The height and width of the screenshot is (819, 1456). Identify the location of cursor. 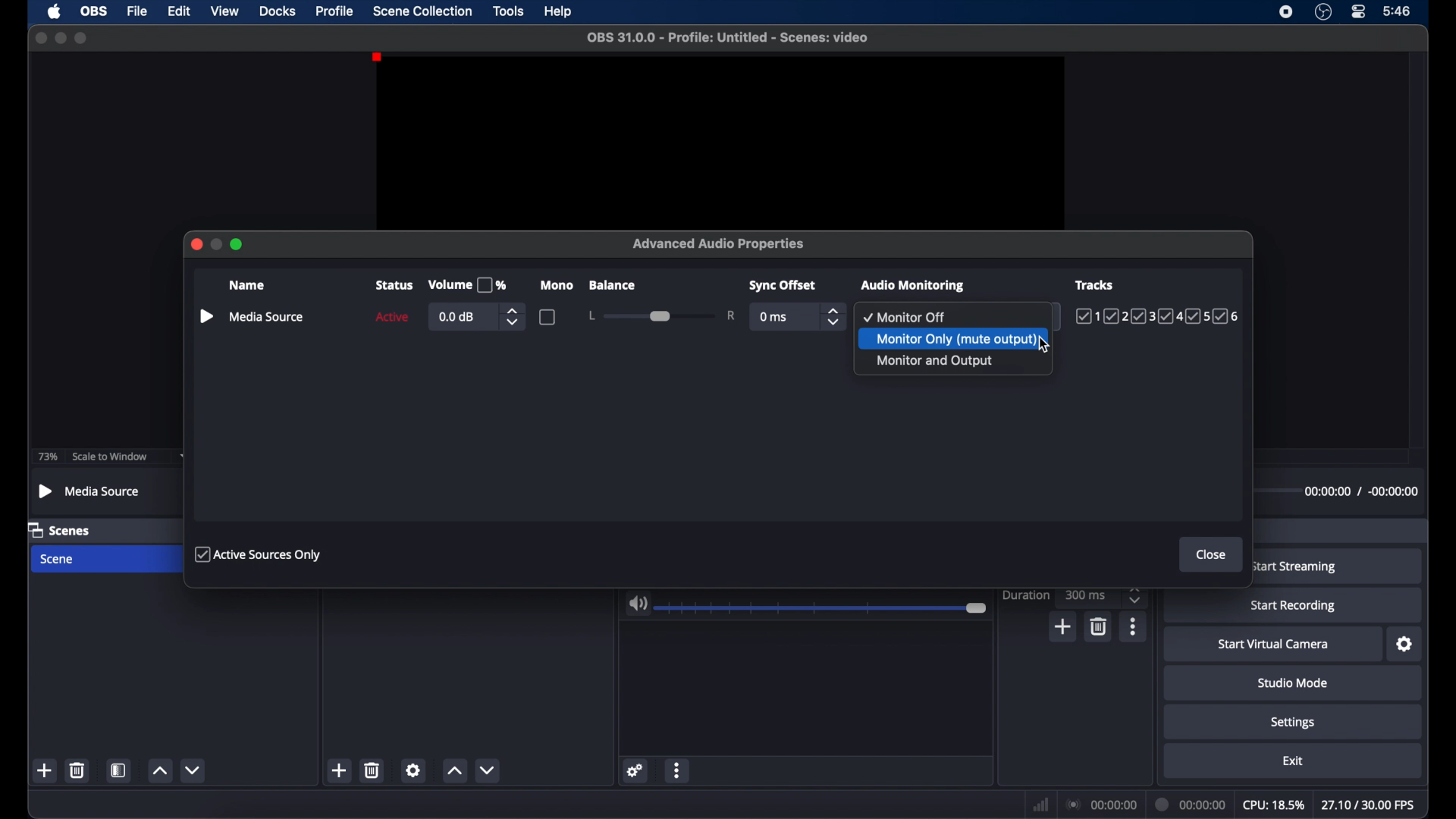
(1045, 345).